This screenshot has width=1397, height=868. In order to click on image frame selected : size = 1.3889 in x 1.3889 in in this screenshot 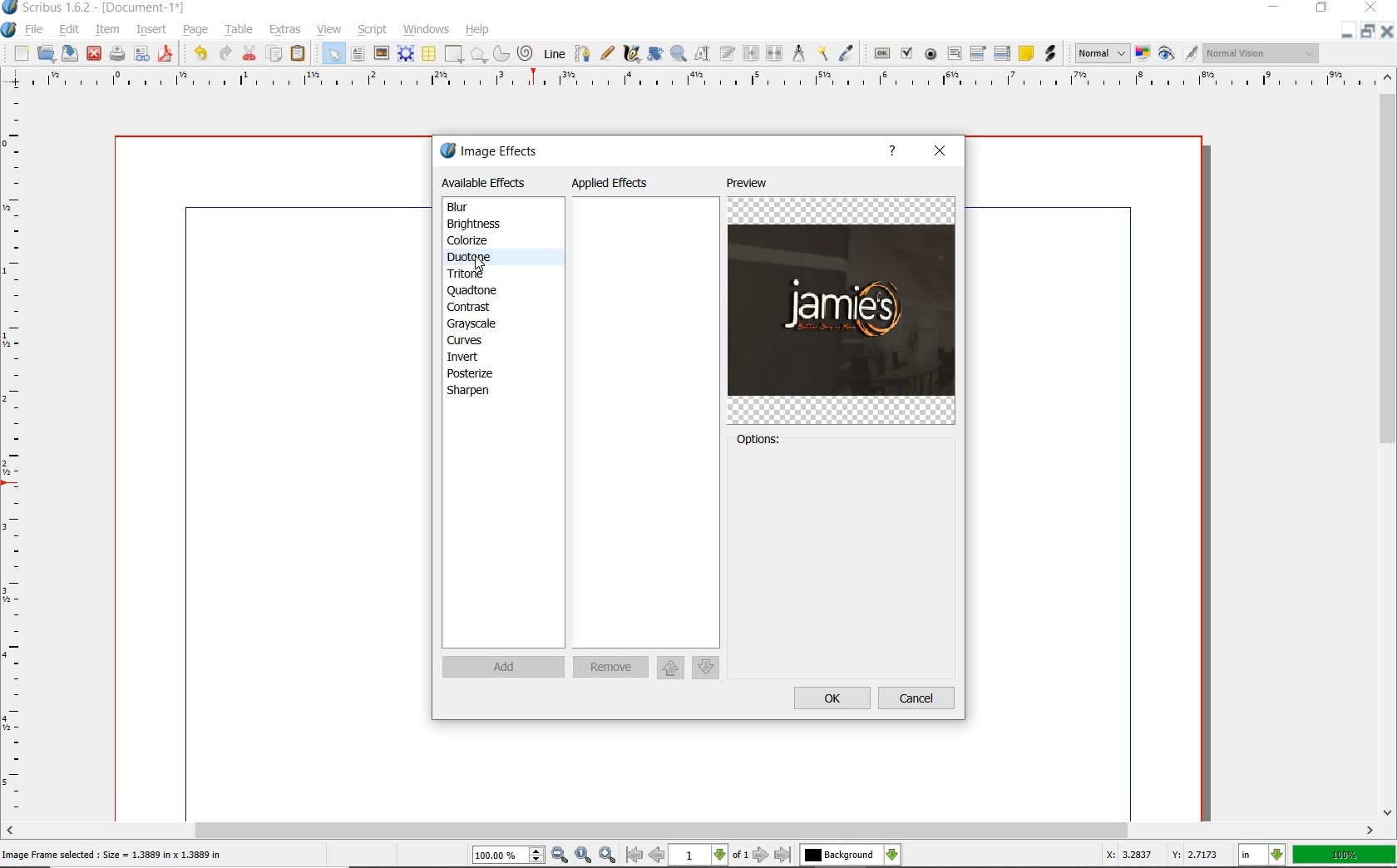, I will do `click(116, 855)`.